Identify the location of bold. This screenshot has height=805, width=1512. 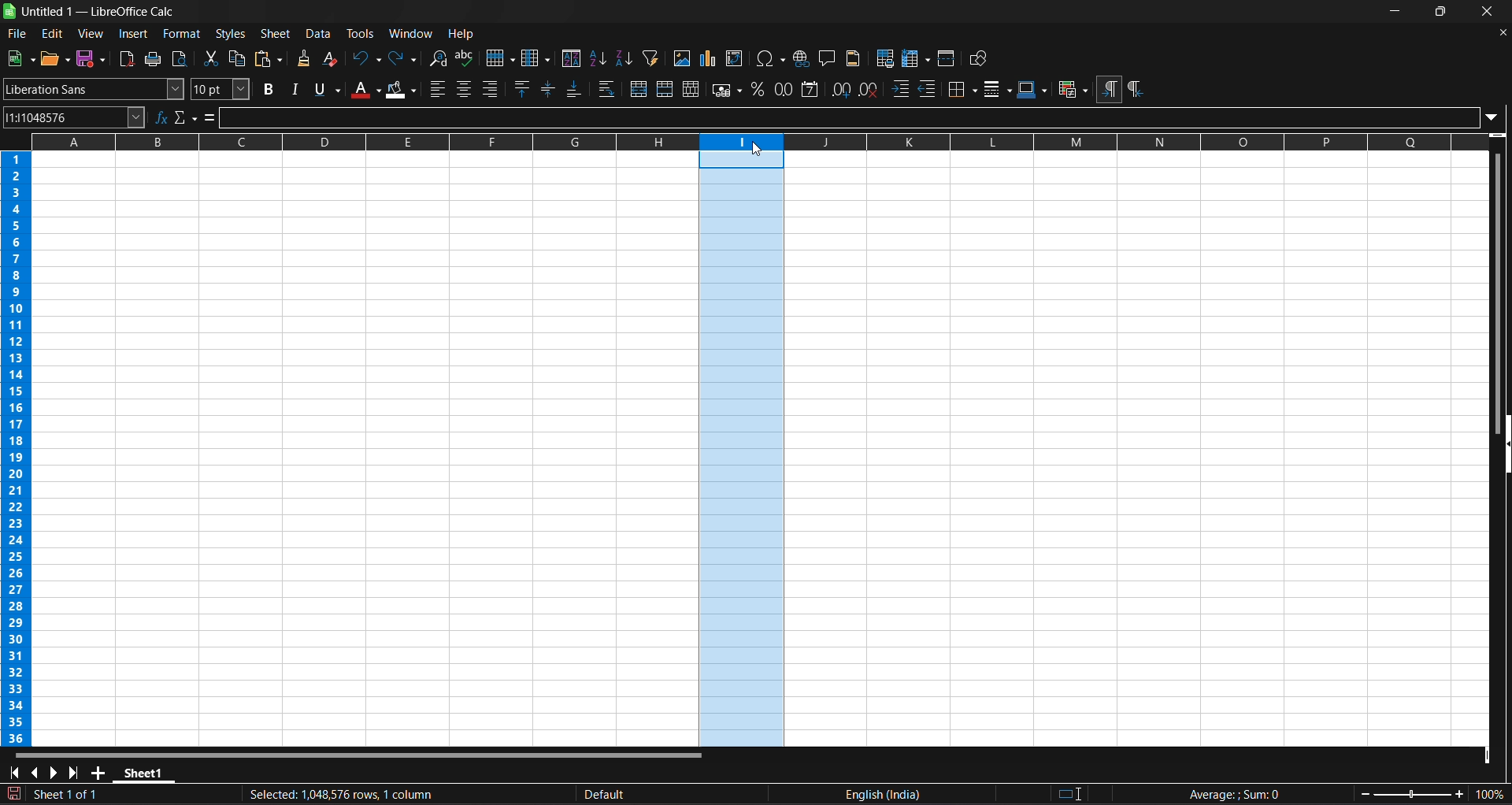
(269, 89).